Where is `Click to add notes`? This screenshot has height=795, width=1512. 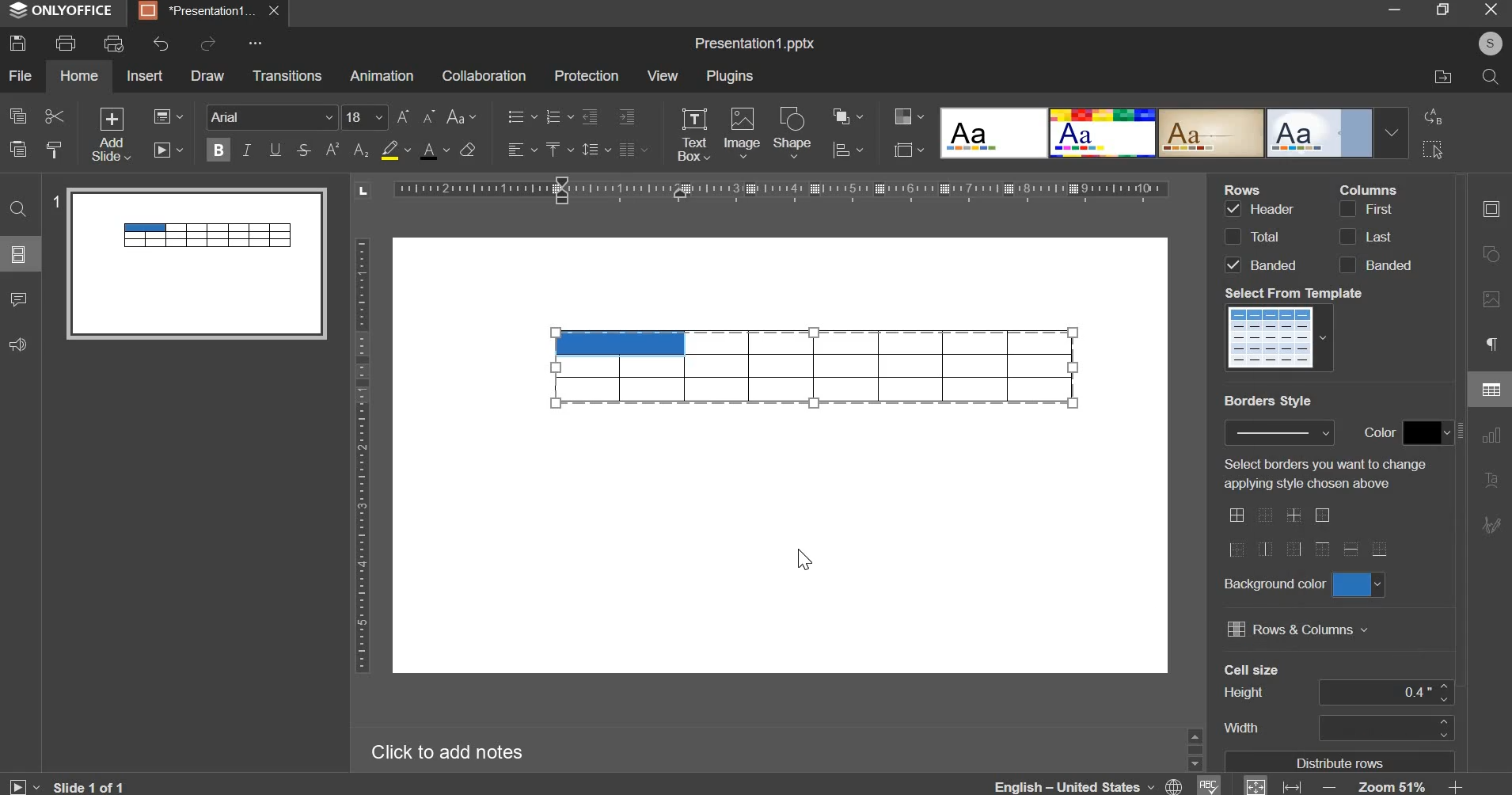
Click to add notes is located at coordinates (443, 749).